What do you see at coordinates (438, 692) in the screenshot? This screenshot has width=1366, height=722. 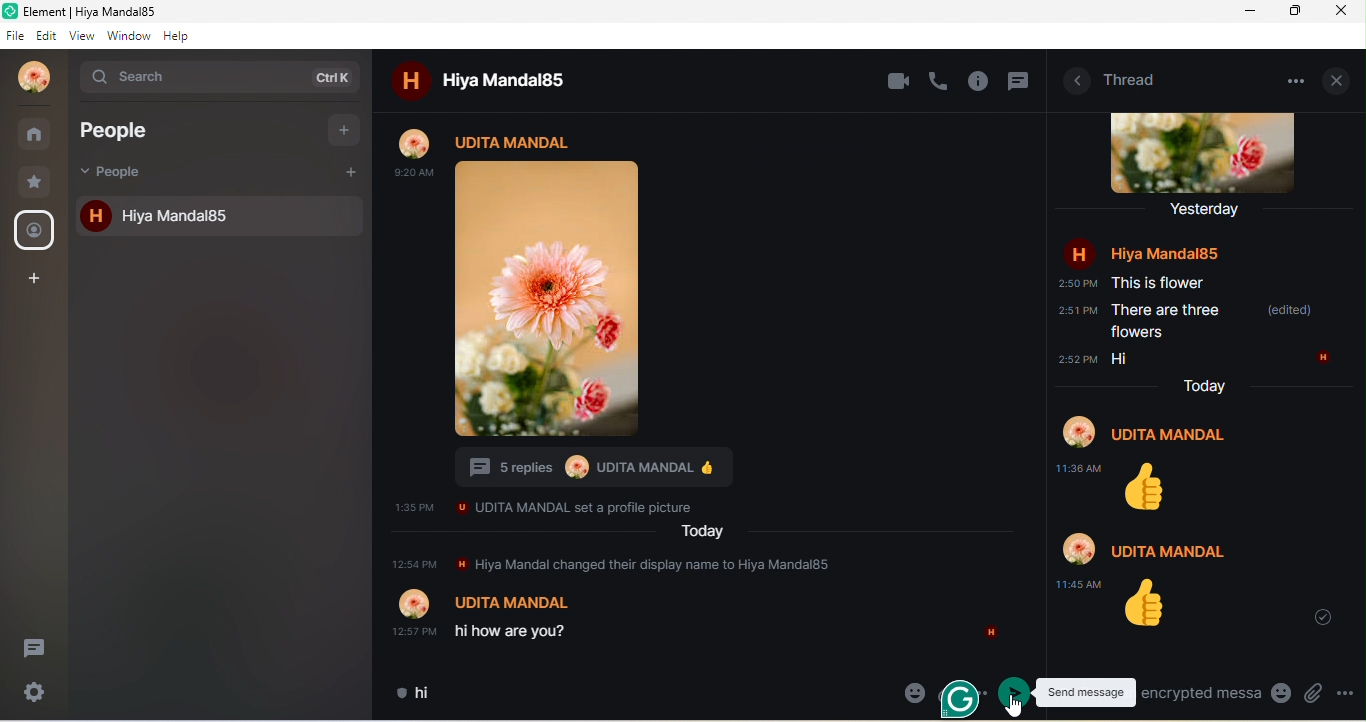 I see `hi` at bounding box center [438, 692].